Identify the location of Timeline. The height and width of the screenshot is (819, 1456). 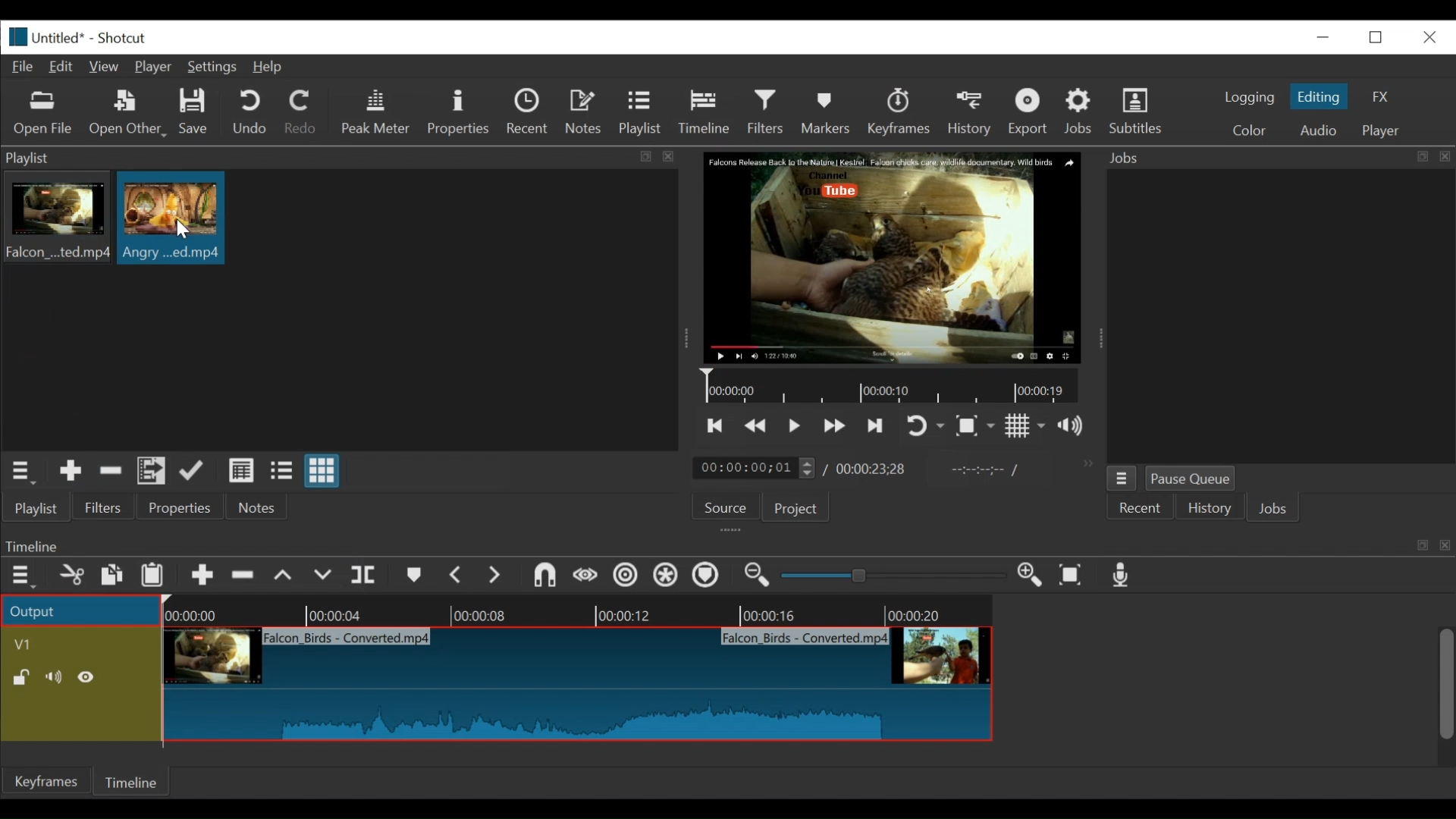
(708, 109).